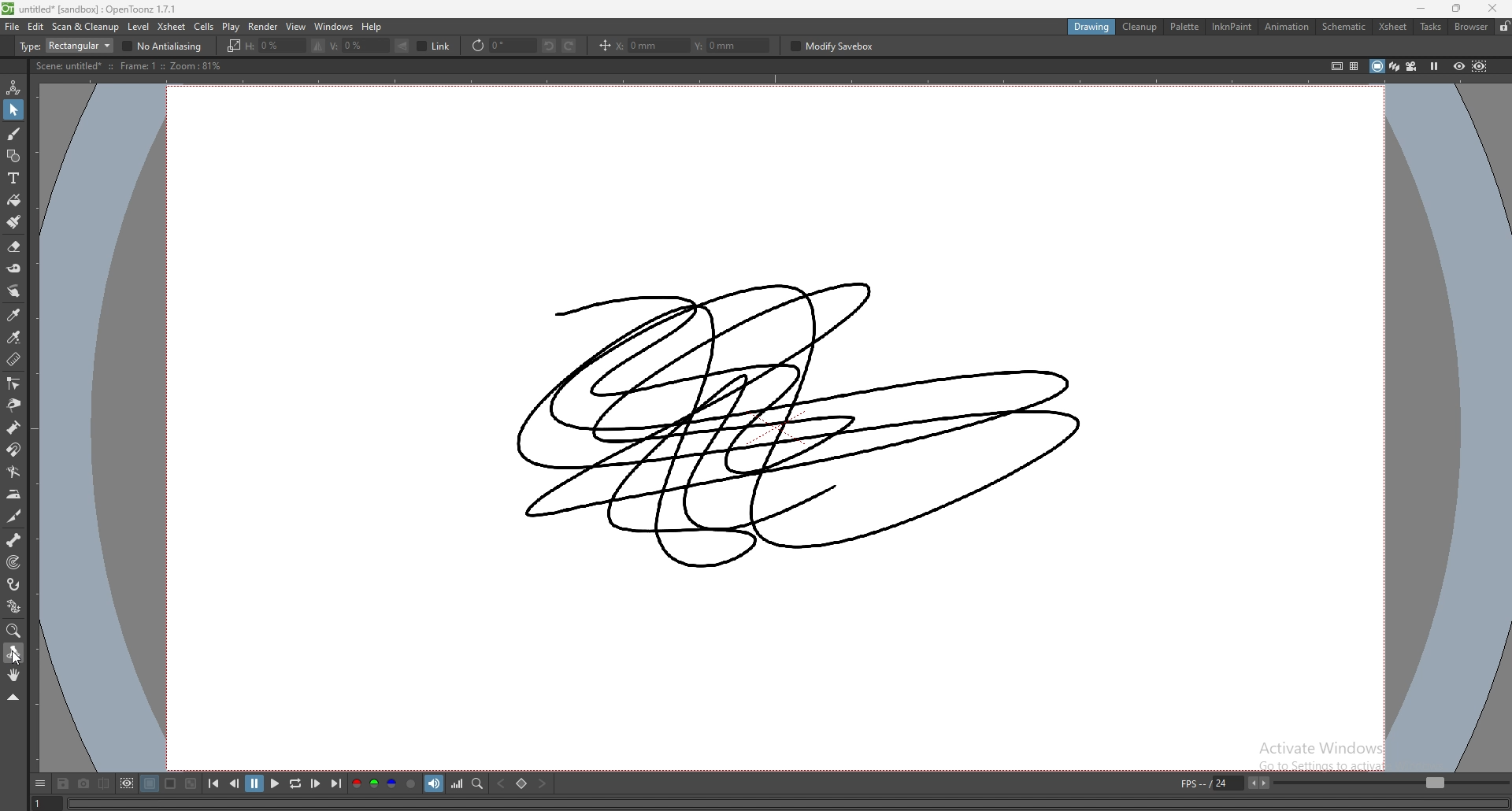 The height and width of the screenshot is (811, 1512). I want to click on animate tool, so click(13, 88).